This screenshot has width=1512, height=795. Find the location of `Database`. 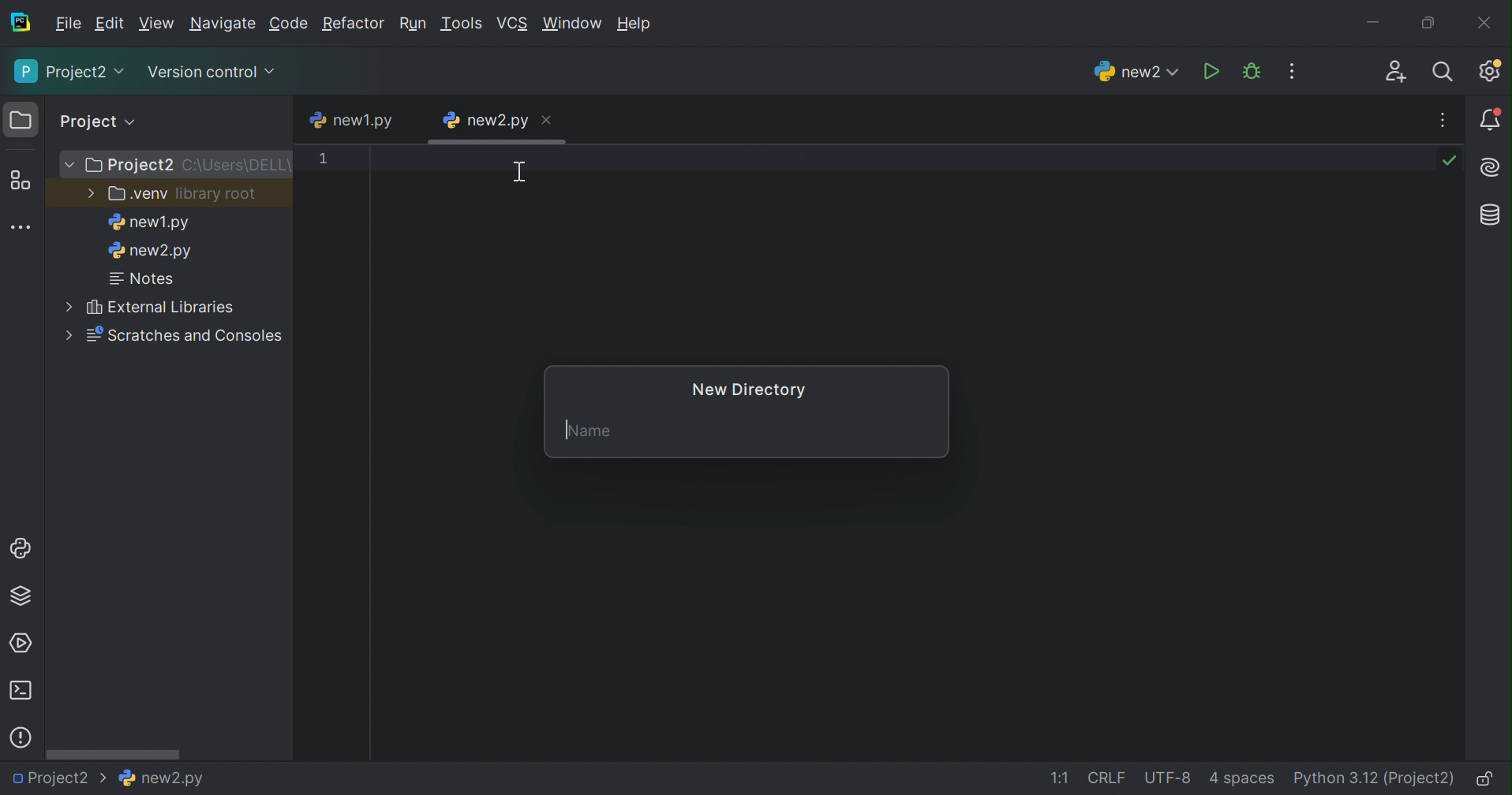

Database is located at coordinates (1493, 216).